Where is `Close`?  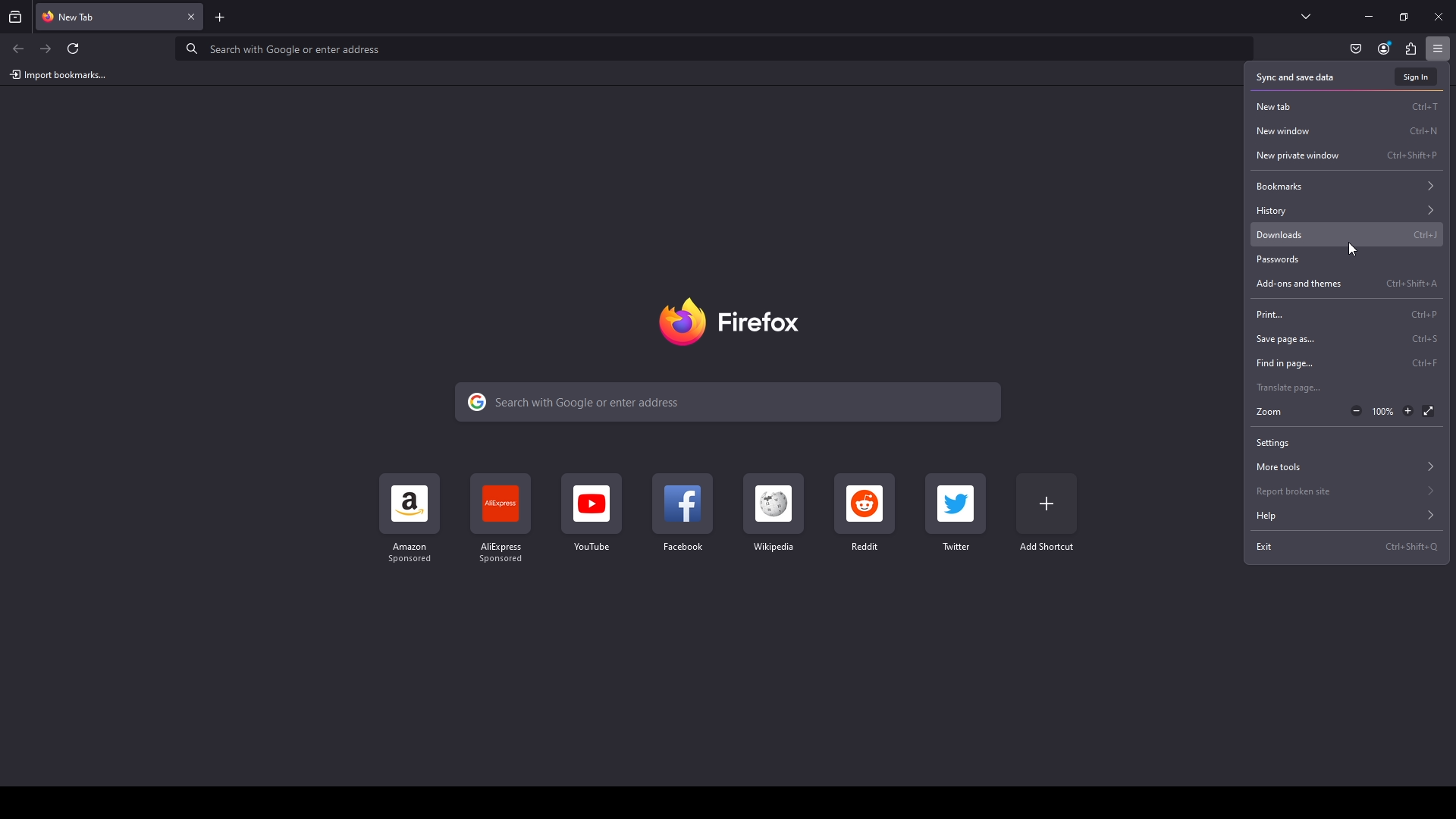 Close is located at coordinates (193, 17).